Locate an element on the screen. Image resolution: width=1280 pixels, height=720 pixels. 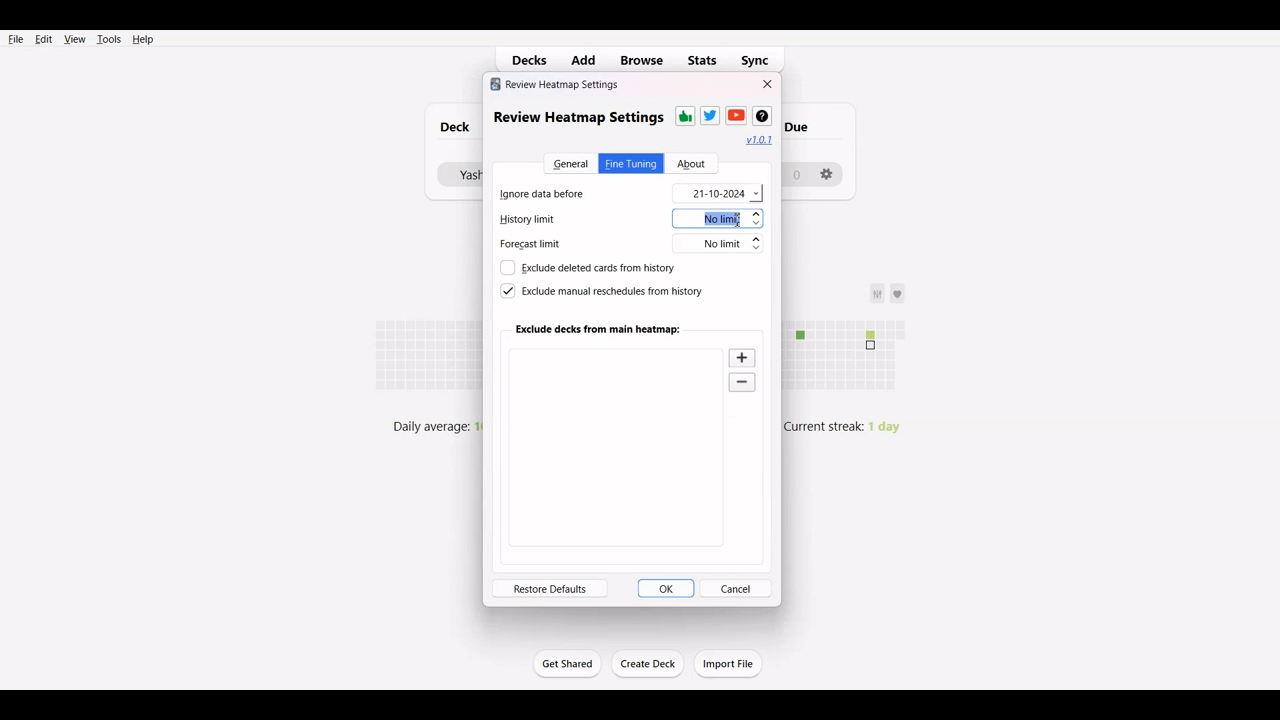
Fine Tuning is located at coordinates (631, 163).